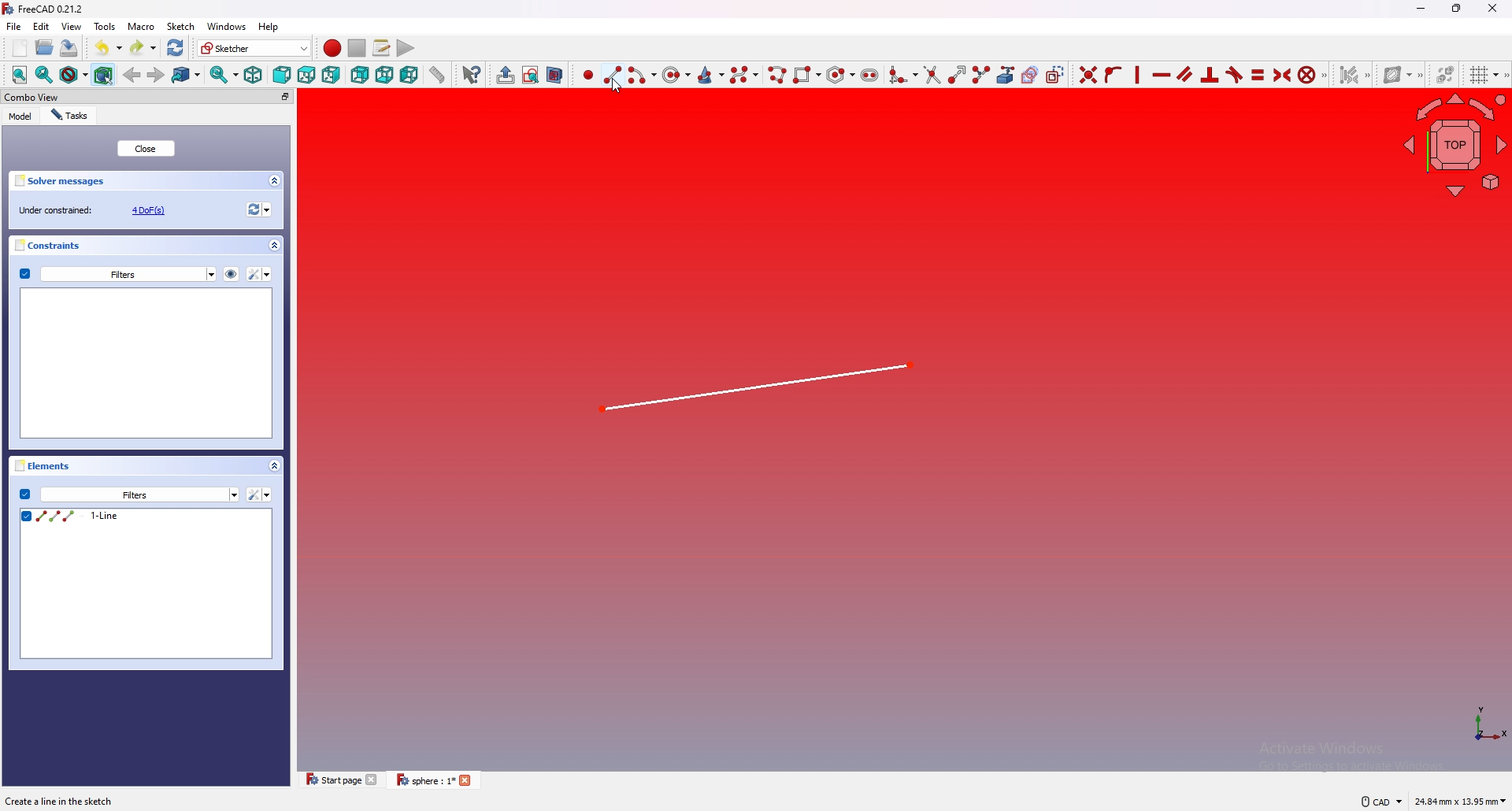 The image size is (1512, 811). Describe the element at coordinates (1418, 10) in the screenshot. I see `Minimize` at that location.